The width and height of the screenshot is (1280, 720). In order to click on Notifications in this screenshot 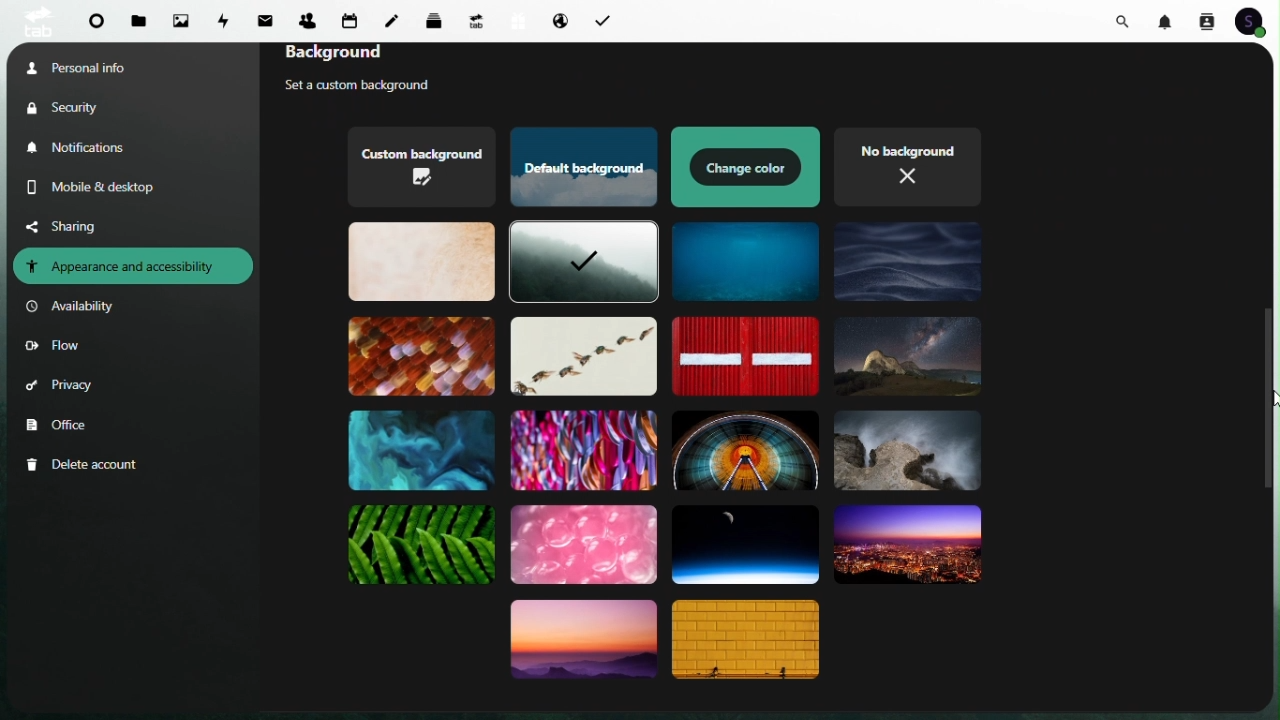, I will do `click(83, 148)`.